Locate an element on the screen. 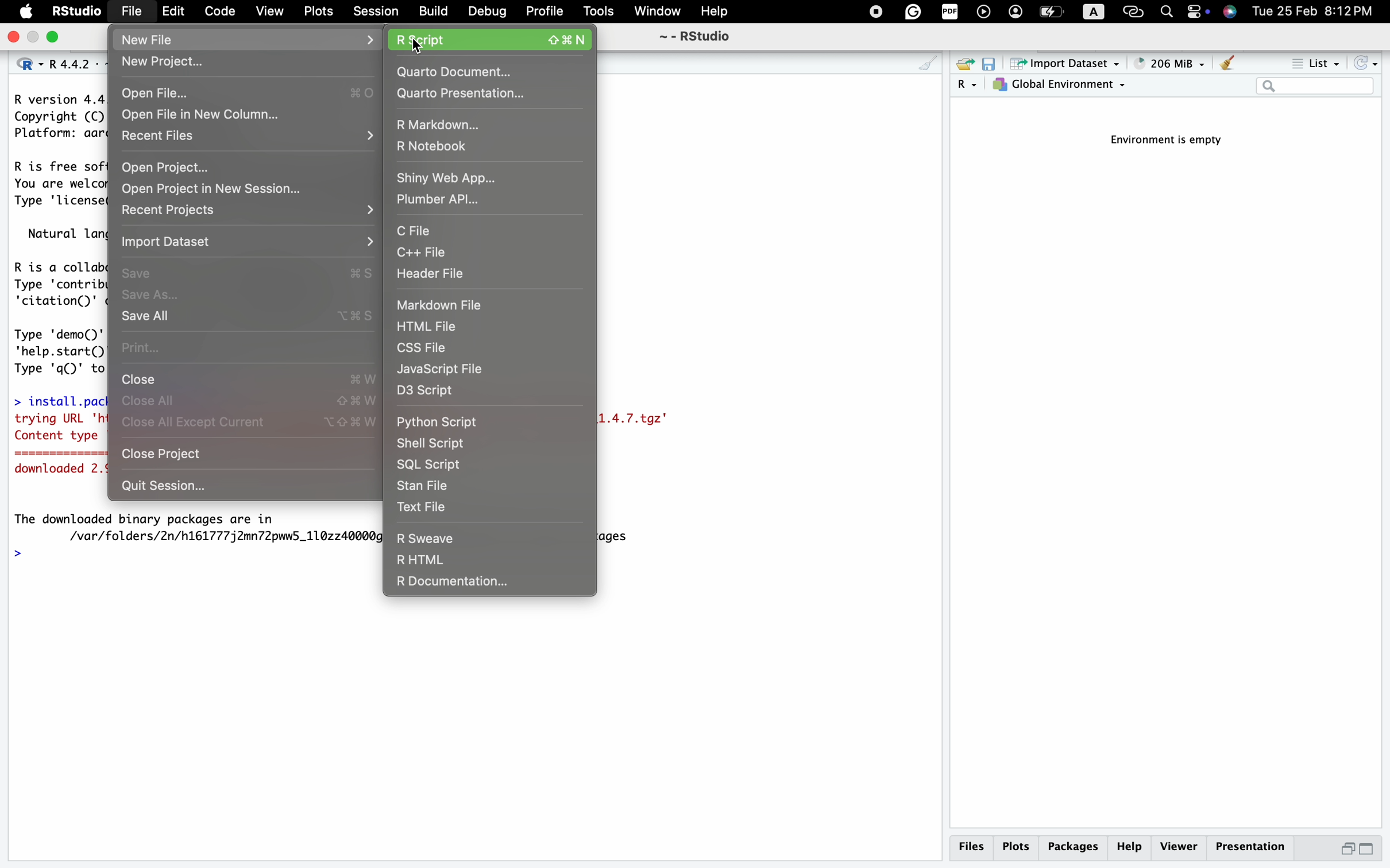  play is located at coordinates (983, 13).